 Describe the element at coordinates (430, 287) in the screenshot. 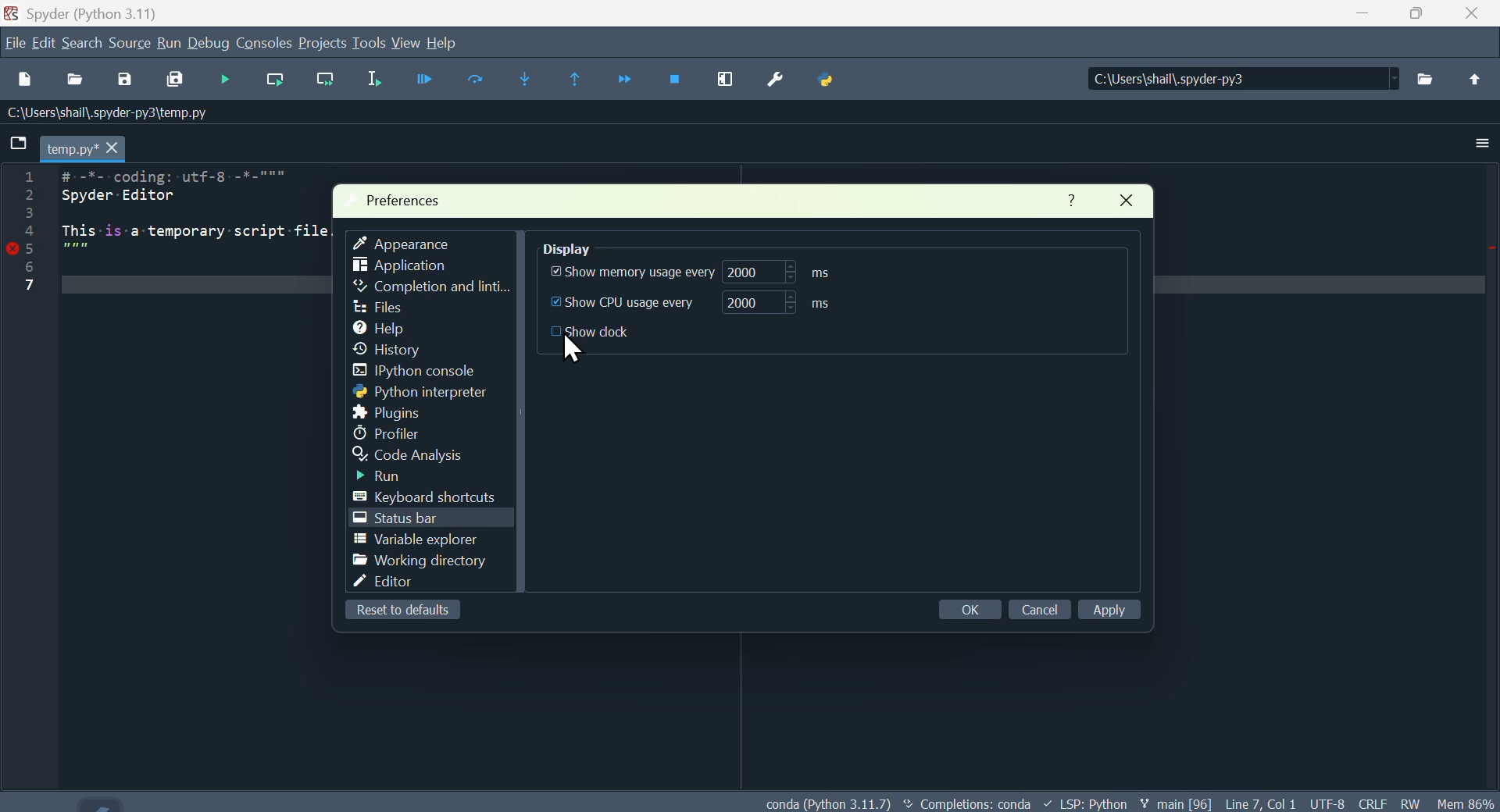

I see `Completion and` at that location.